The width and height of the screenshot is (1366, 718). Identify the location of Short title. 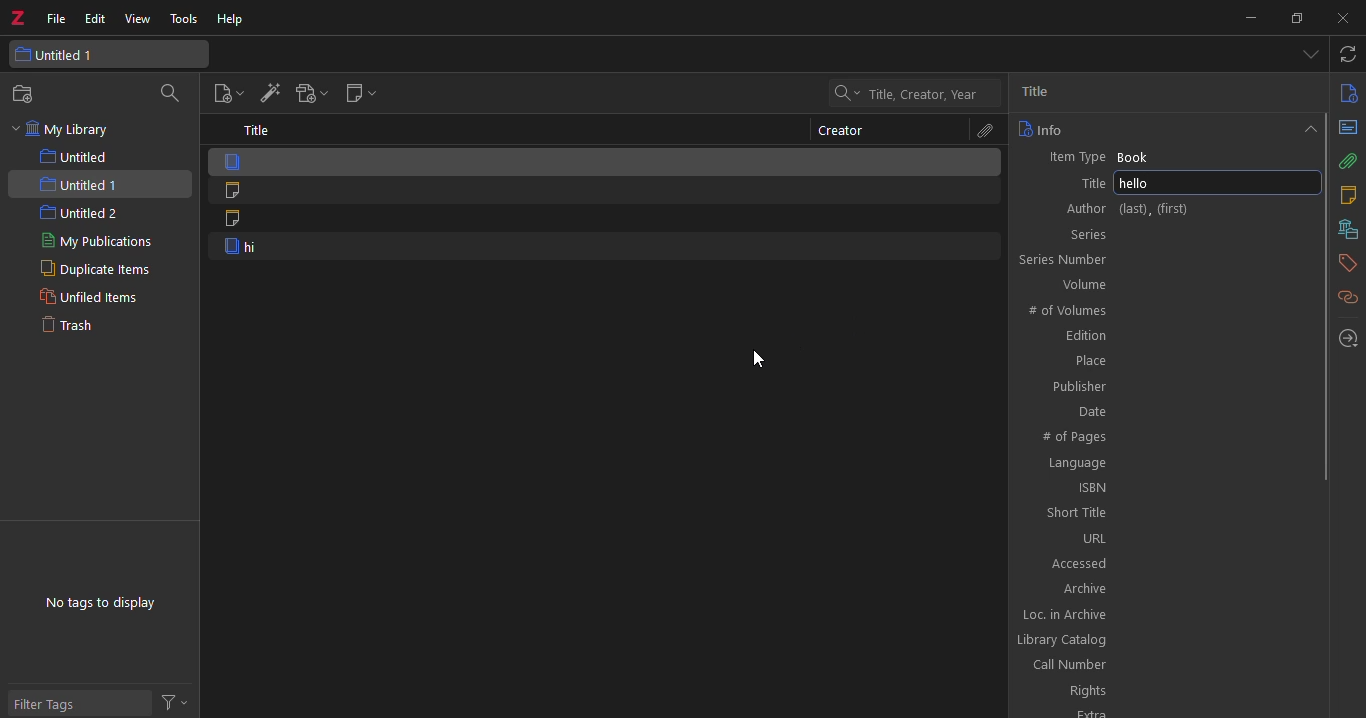
(1164, 512).